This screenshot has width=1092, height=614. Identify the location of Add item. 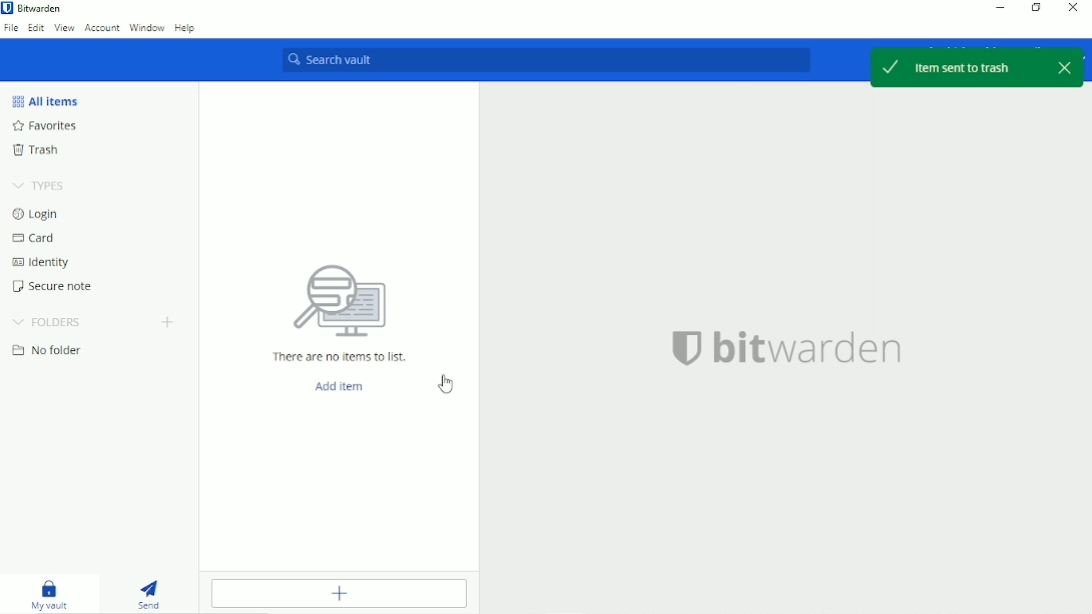
(339, 595).